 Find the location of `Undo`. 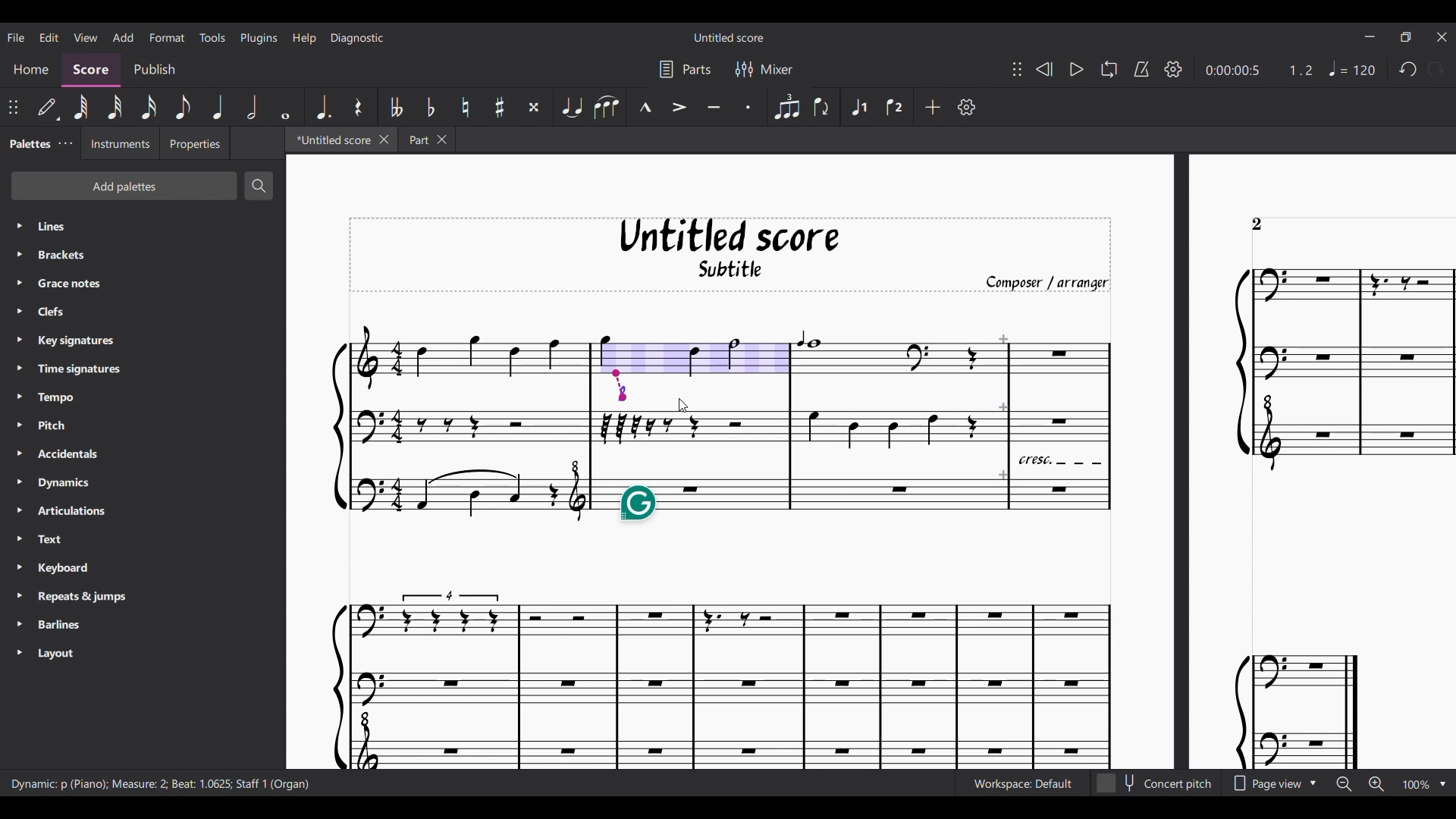

Undo is located at coordinates (1407, 68).